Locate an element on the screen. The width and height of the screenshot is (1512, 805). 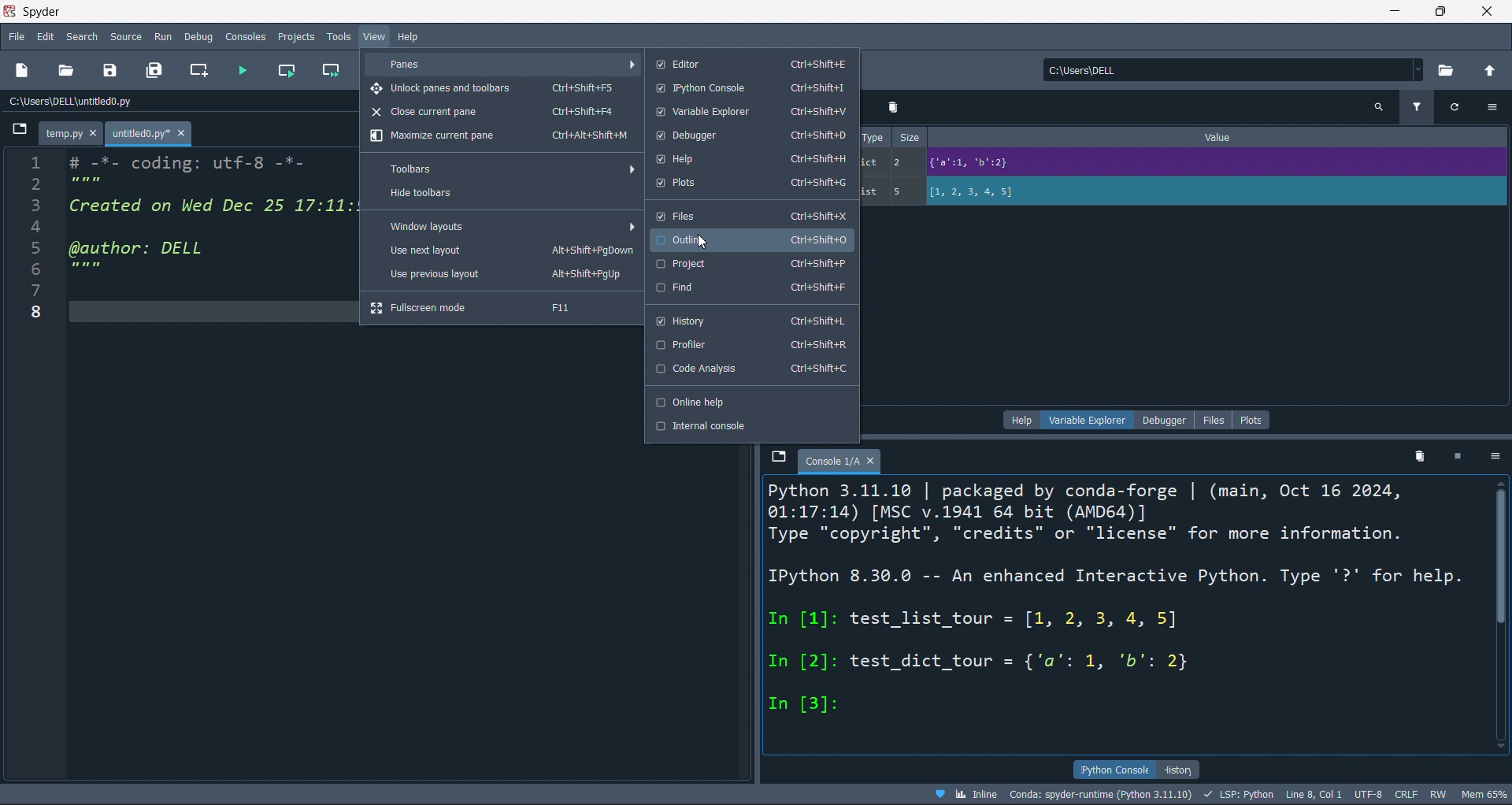
button is located at coordinates (18, 133).